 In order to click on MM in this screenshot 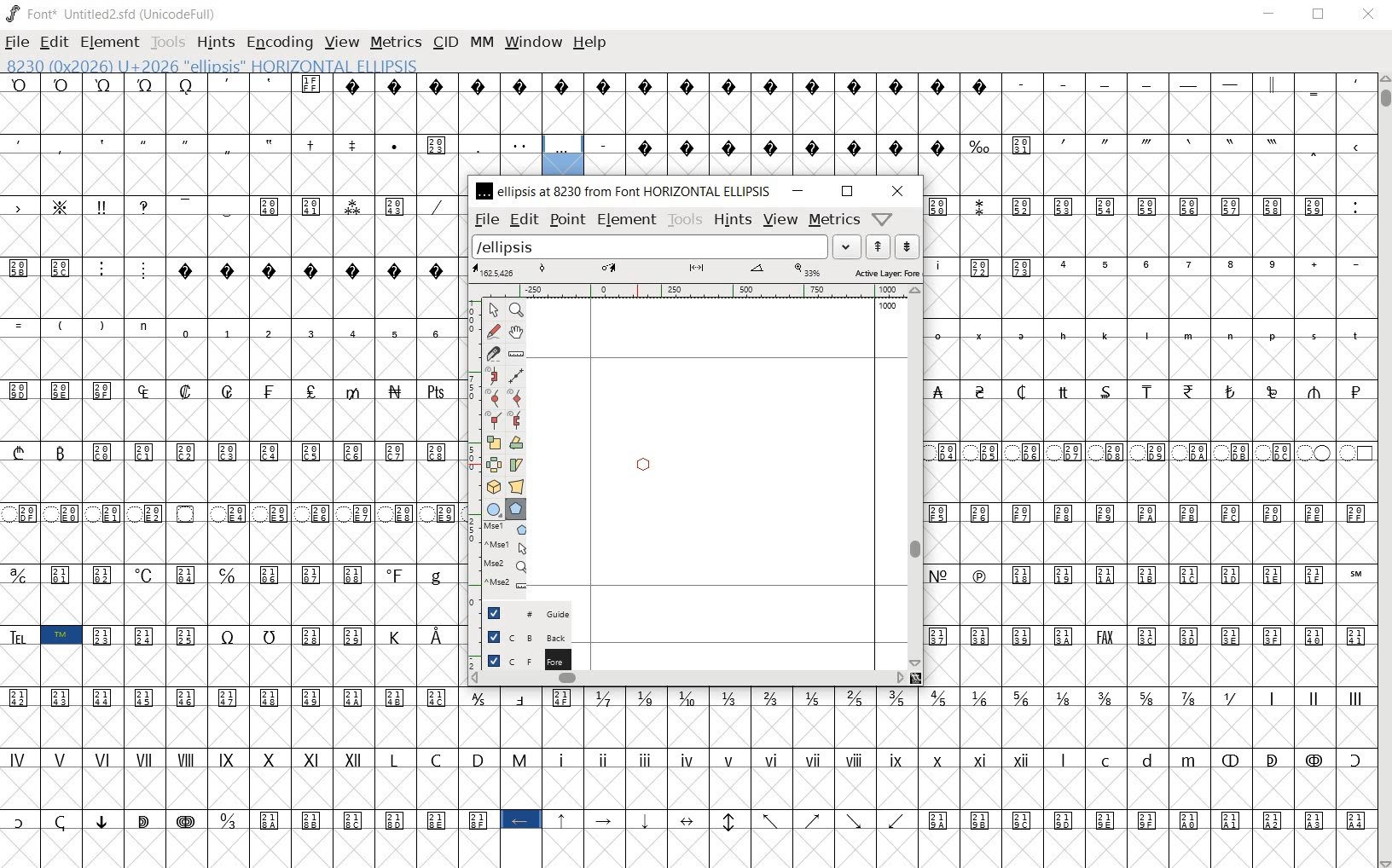, I will do `click(481, 40)`.